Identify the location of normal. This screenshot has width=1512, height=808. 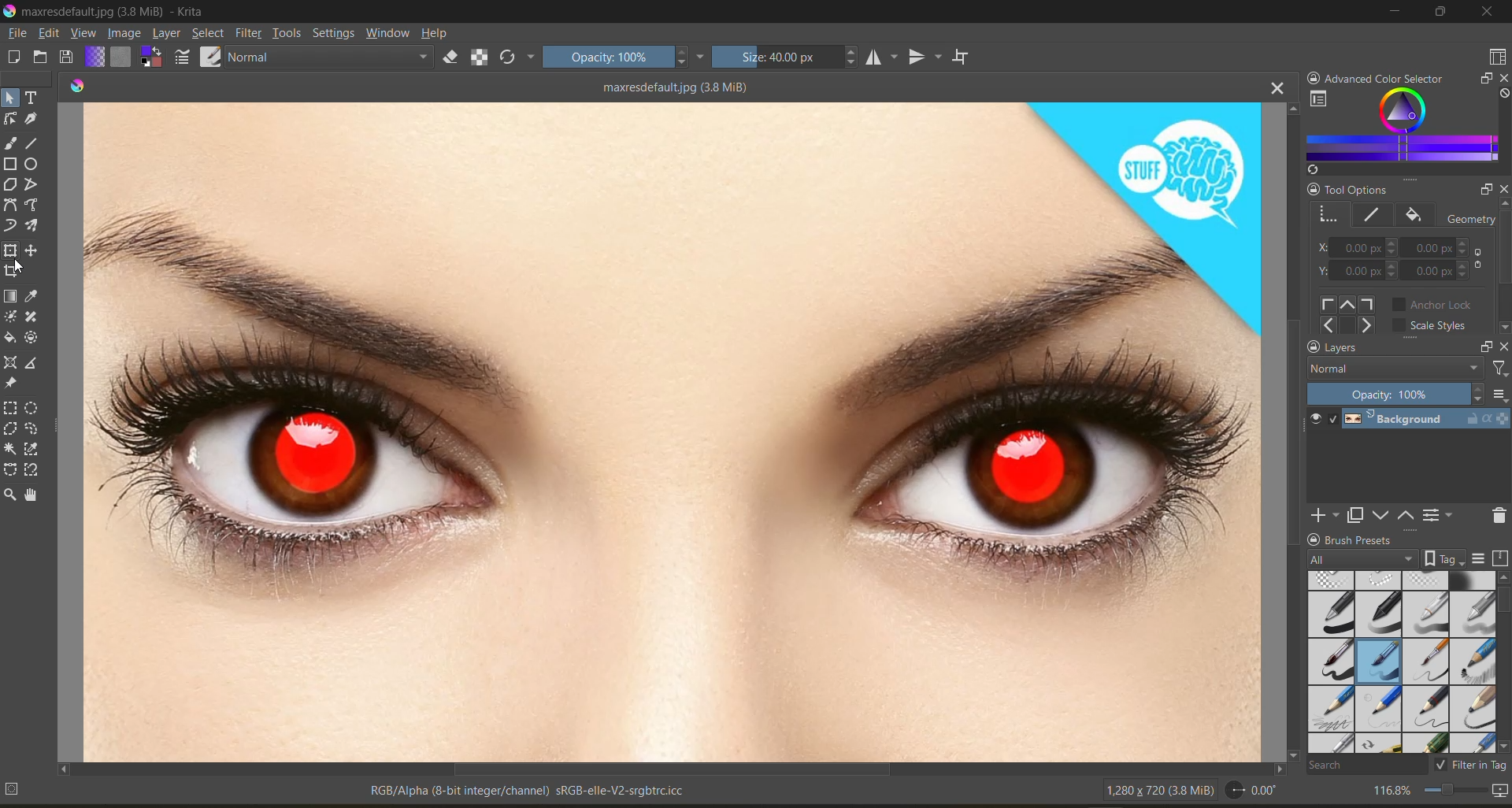
(1395, 369).